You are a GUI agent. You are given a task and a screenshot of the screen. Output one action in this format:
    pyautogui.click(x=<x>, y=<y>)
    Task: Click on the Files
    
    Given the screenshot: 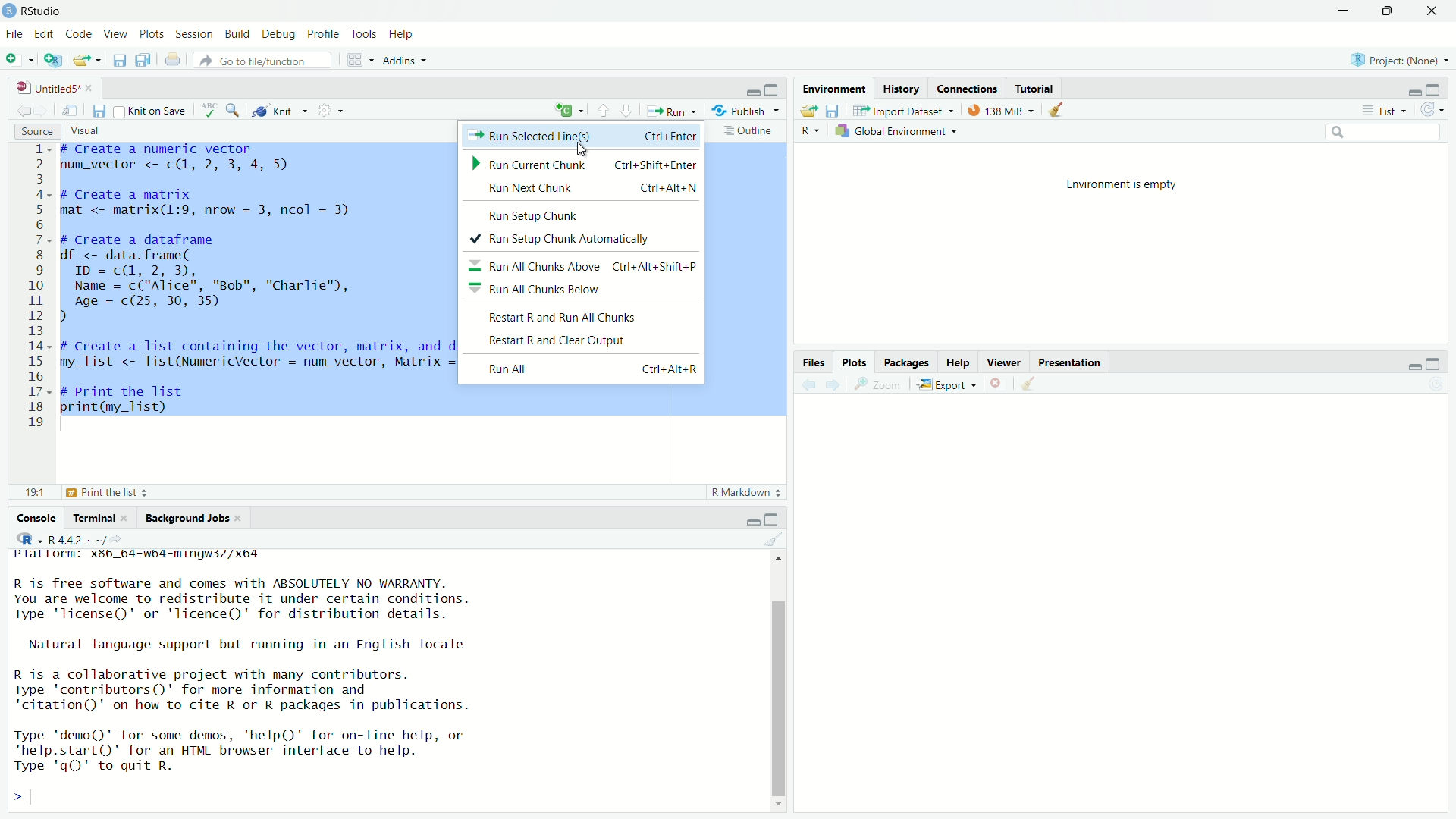 What is the action you would take?
    pyautogui.click(x=817, y=362)
    